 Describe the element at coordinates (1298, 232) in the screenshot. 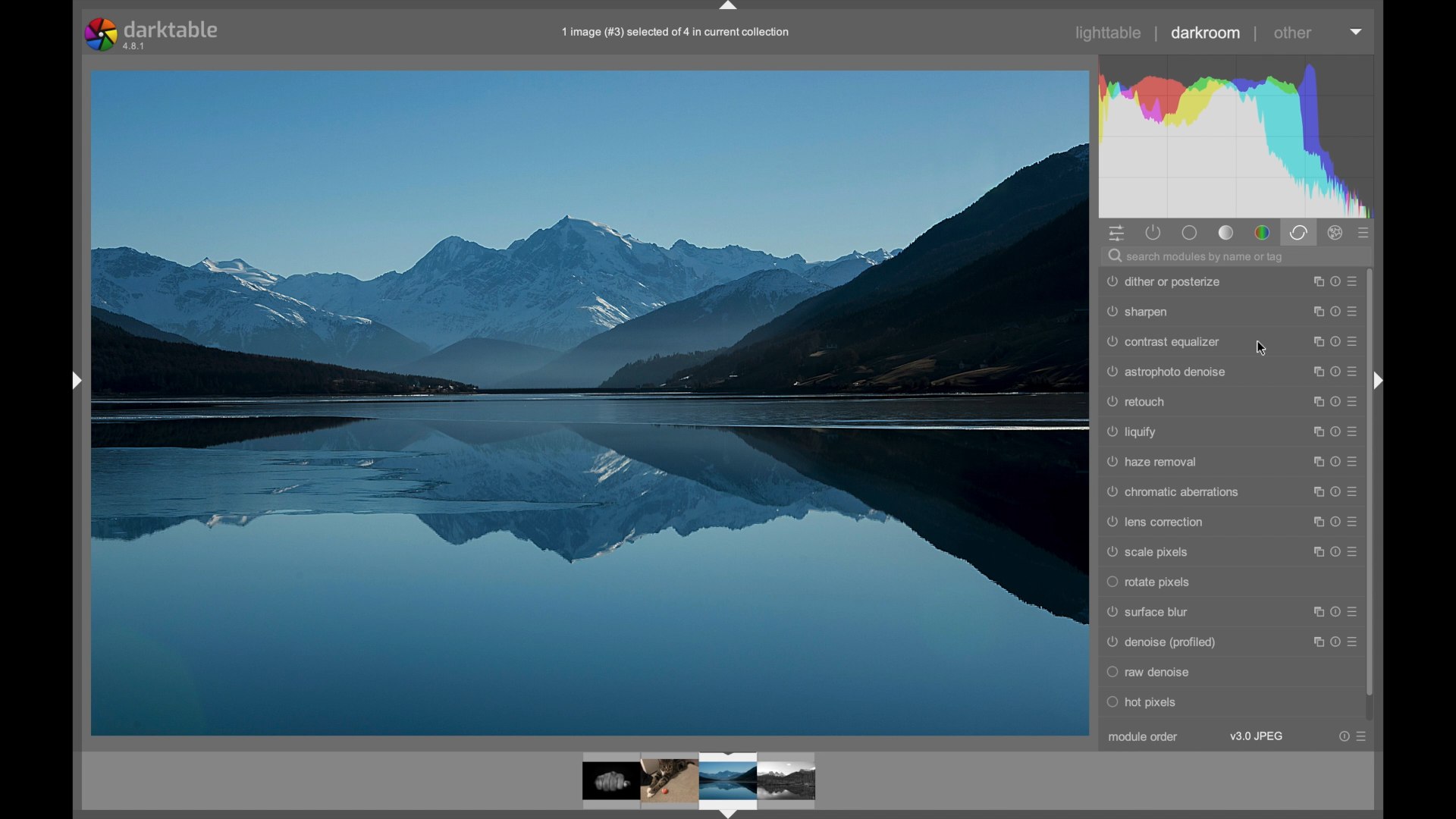

I see `correct` at that location.